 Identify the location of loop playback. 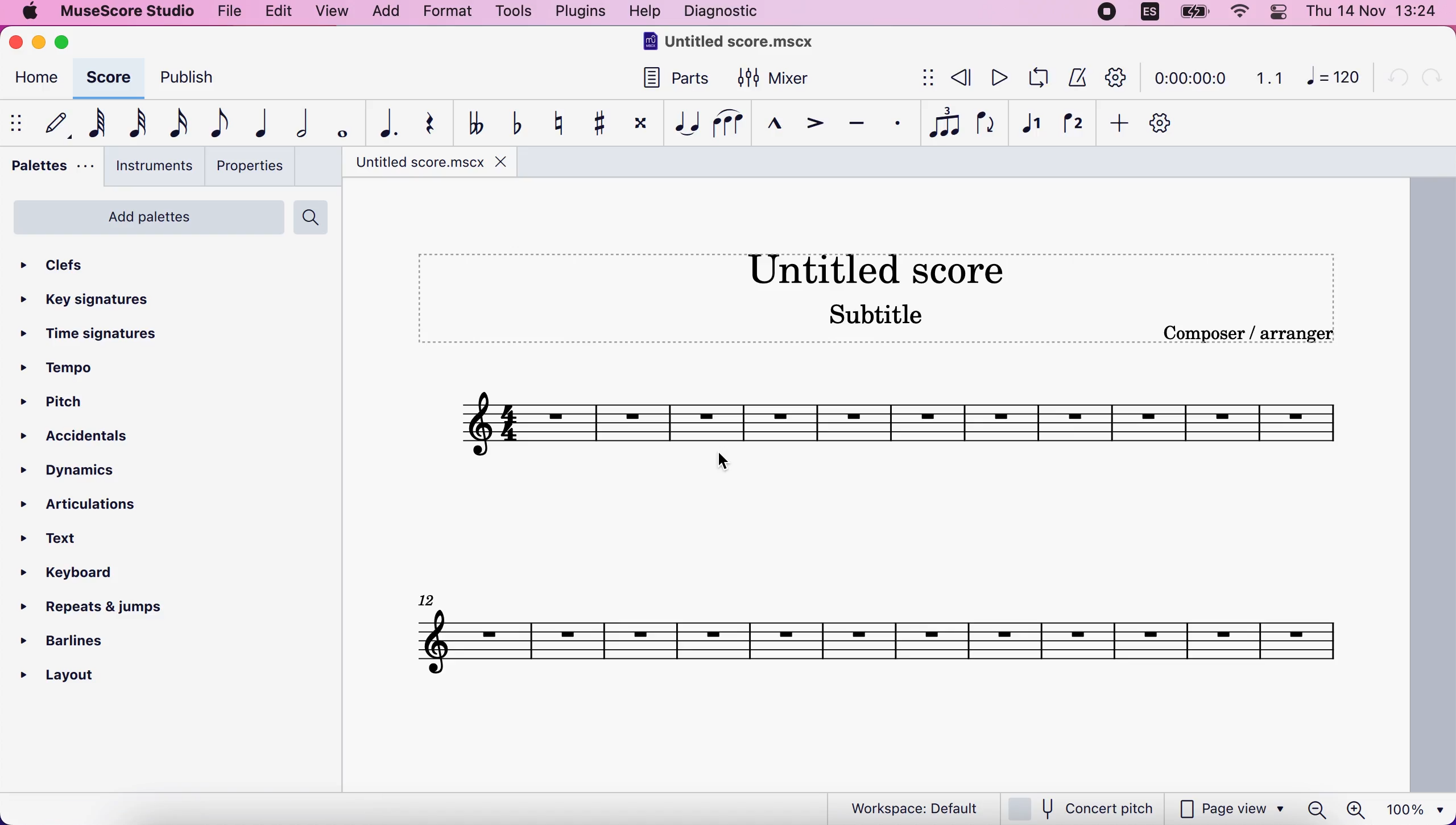
(1039, 81).